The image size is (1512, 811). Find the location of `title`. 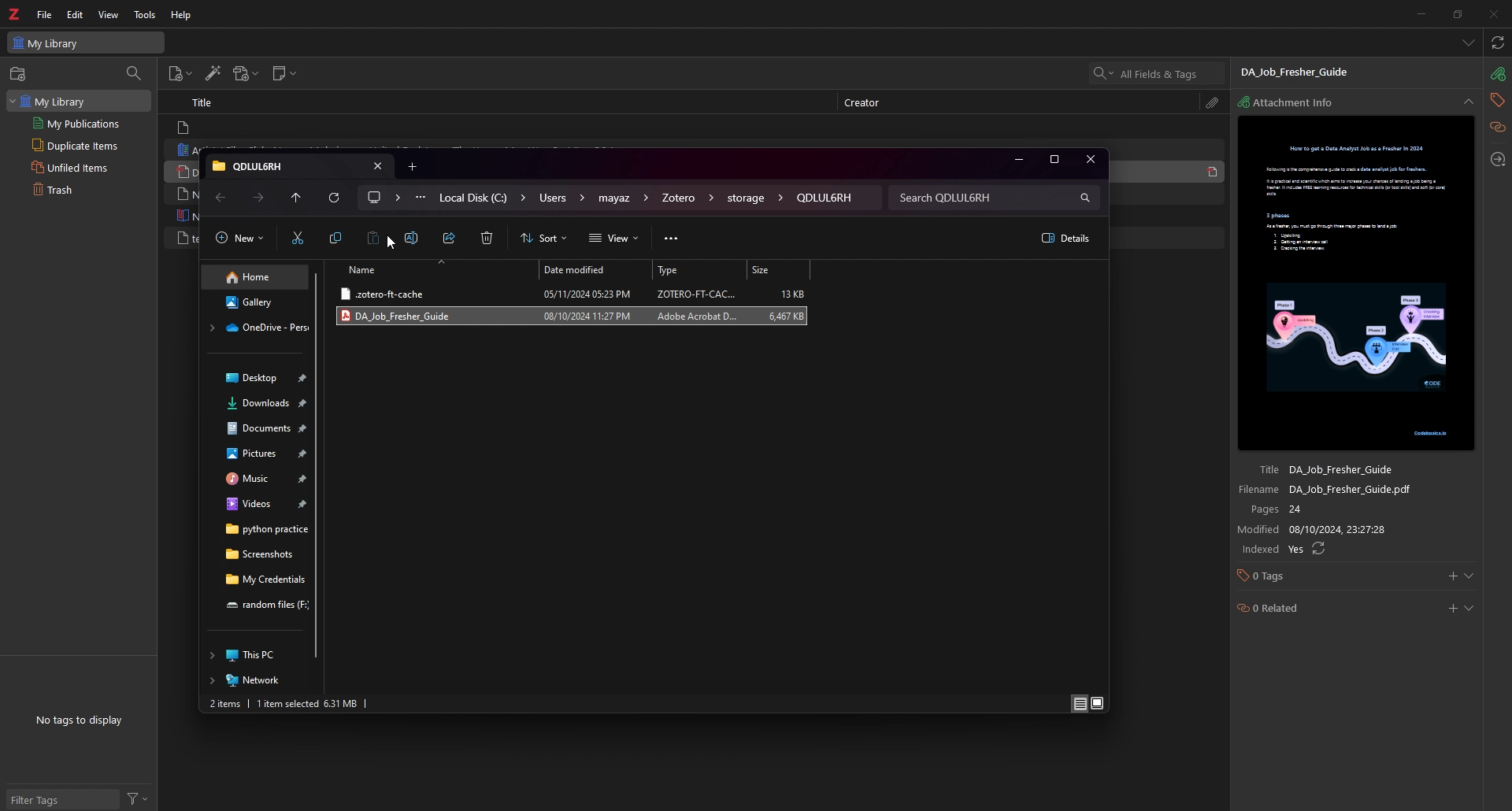

title is located at coordinates (1344, 468).